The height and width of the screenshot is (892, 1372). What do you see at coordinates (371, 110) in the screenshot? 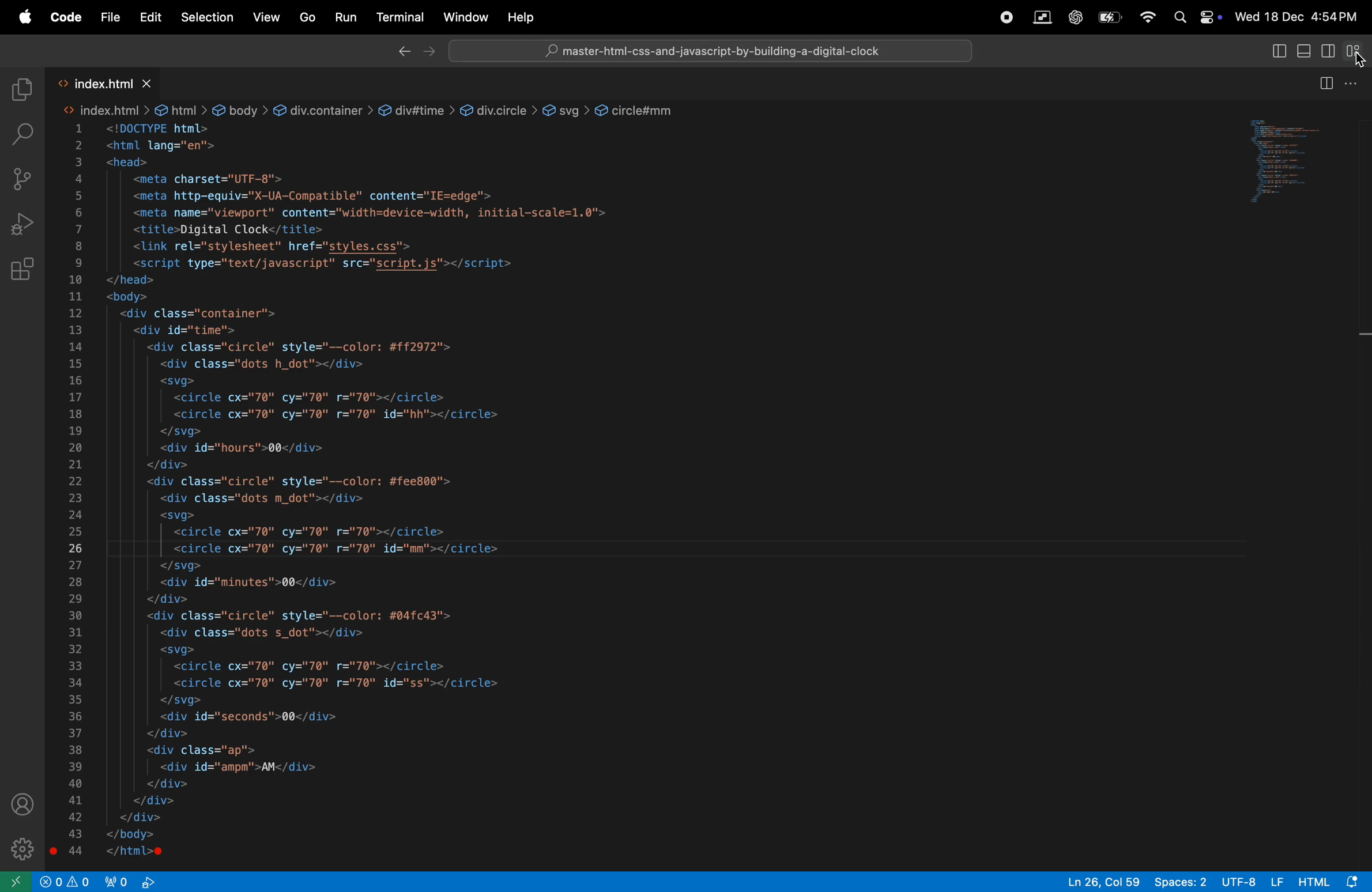
I see `<> index.html > @ html > @ body > &@ div.container > @ div#time > @ div.circle > @ svg > @ circle#mm` at bounding box center [371, 110].